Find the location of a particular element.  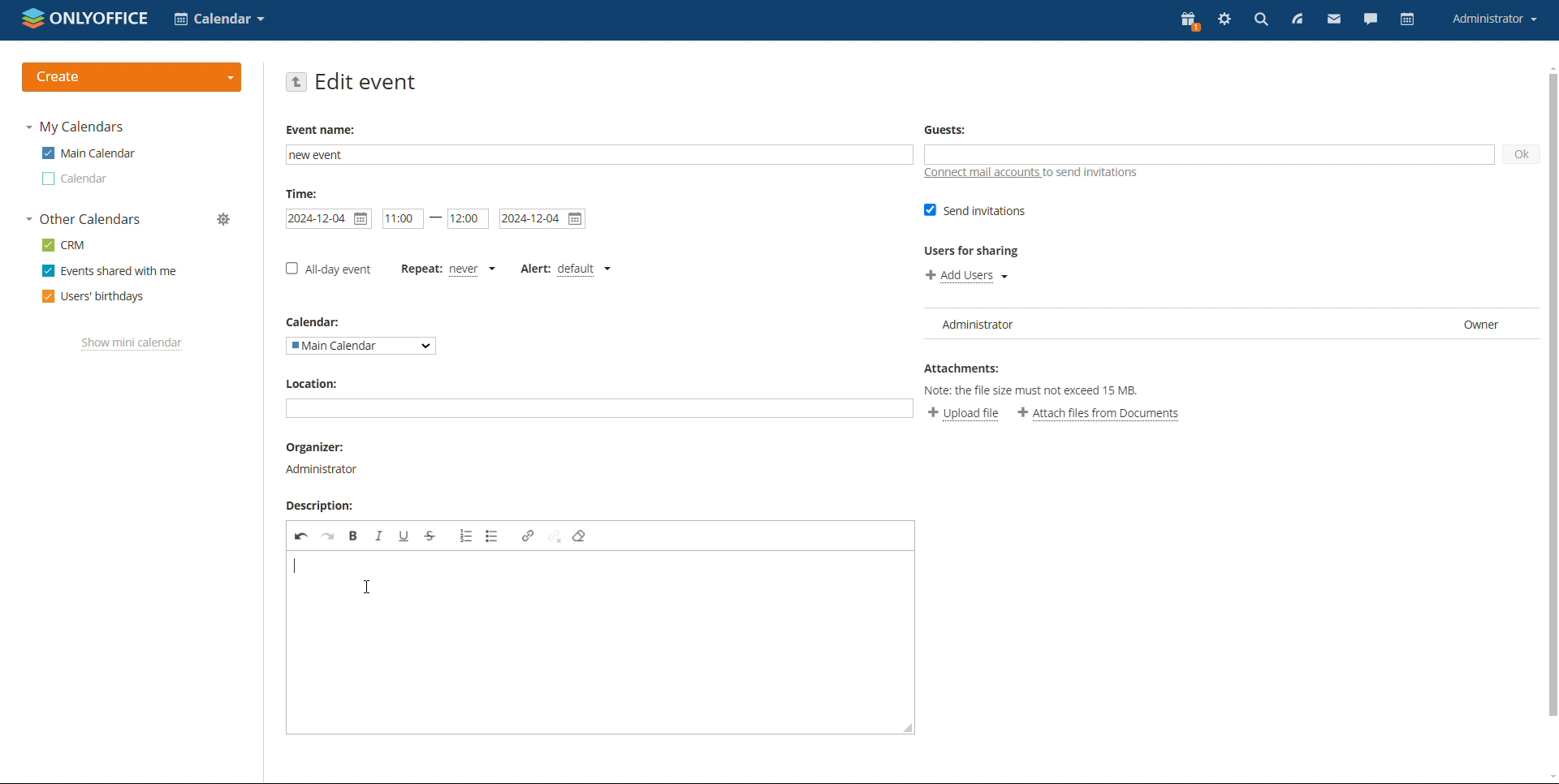

to send invitations is located at coordinates (1097, 174).